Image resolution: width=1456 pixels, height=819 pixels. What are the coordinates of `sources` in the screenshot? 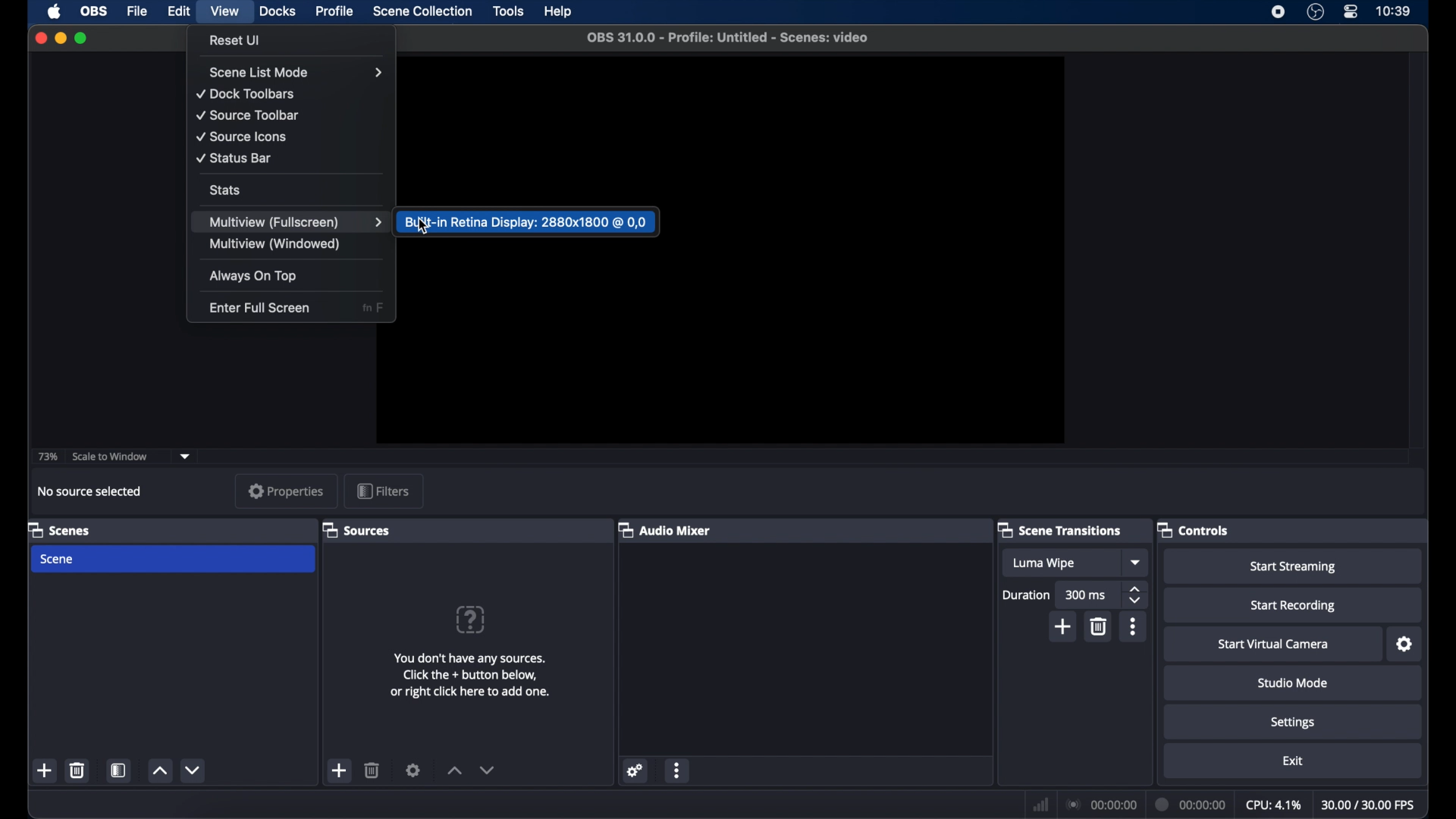 It's located at (356, 529).